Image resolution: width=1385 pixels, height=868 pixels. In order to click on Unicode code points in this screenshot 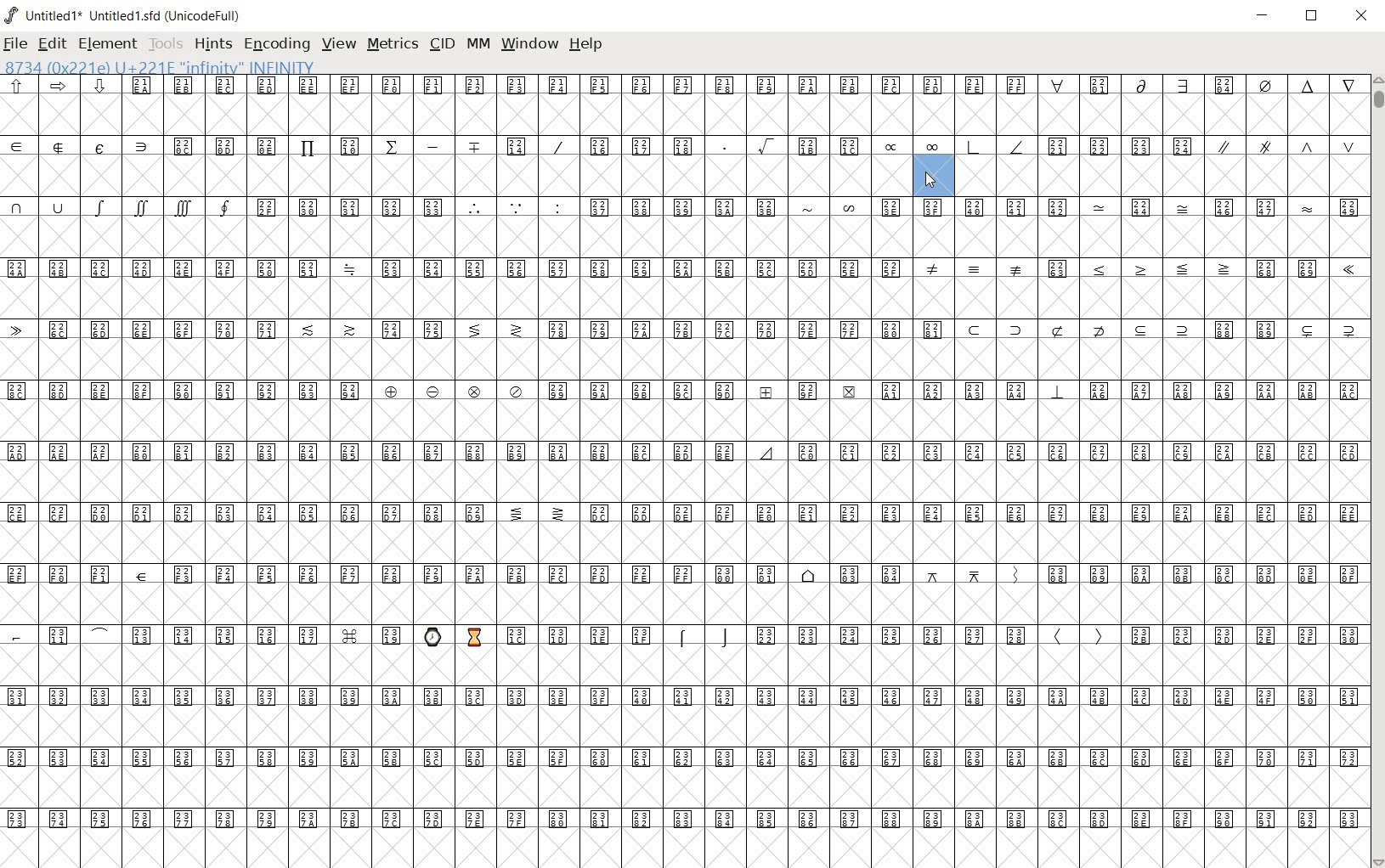, I will do `click(1059, 268)`.